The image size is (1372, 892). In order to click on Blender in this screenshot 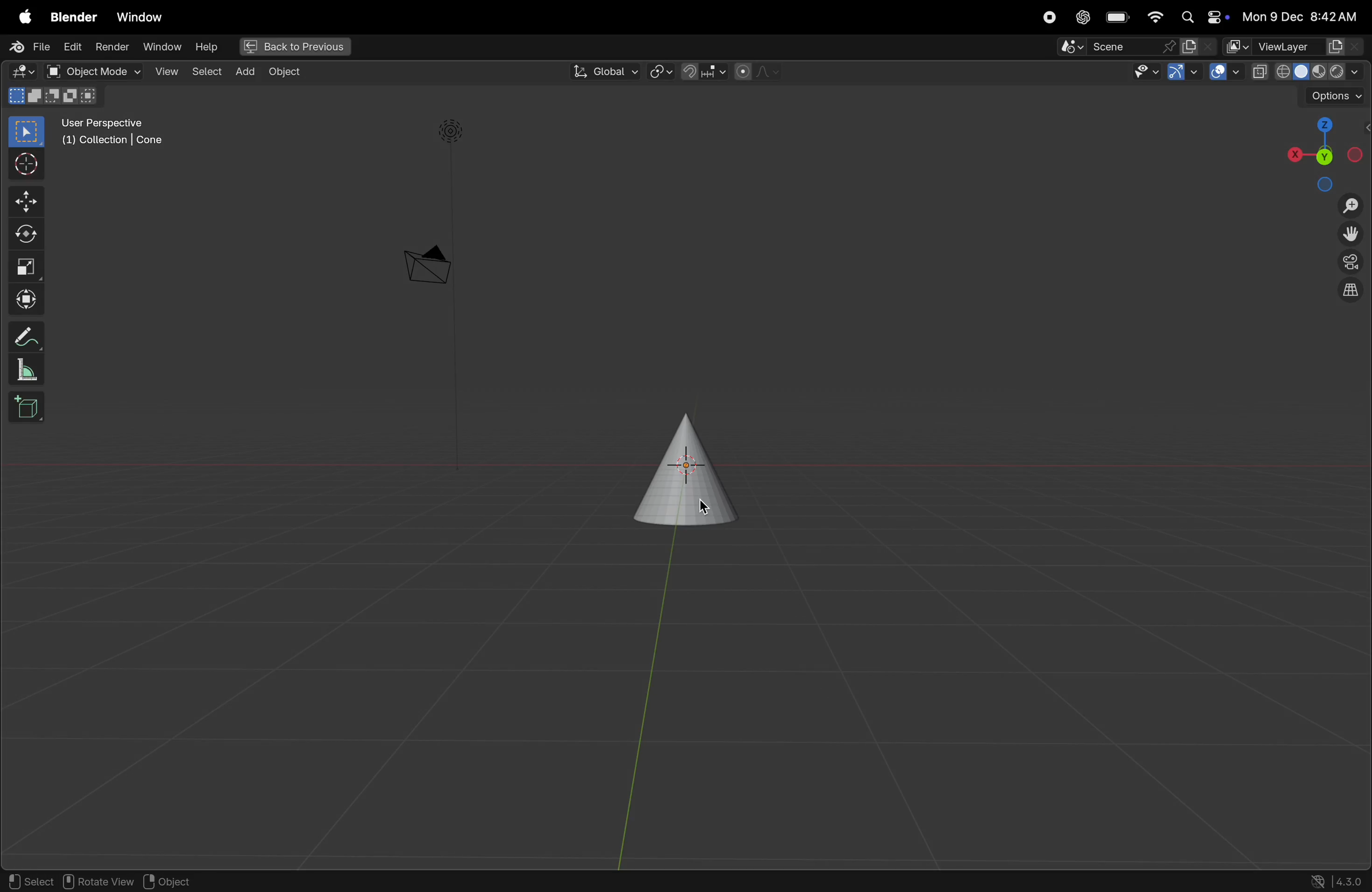, I will do `click(75, 17)`.